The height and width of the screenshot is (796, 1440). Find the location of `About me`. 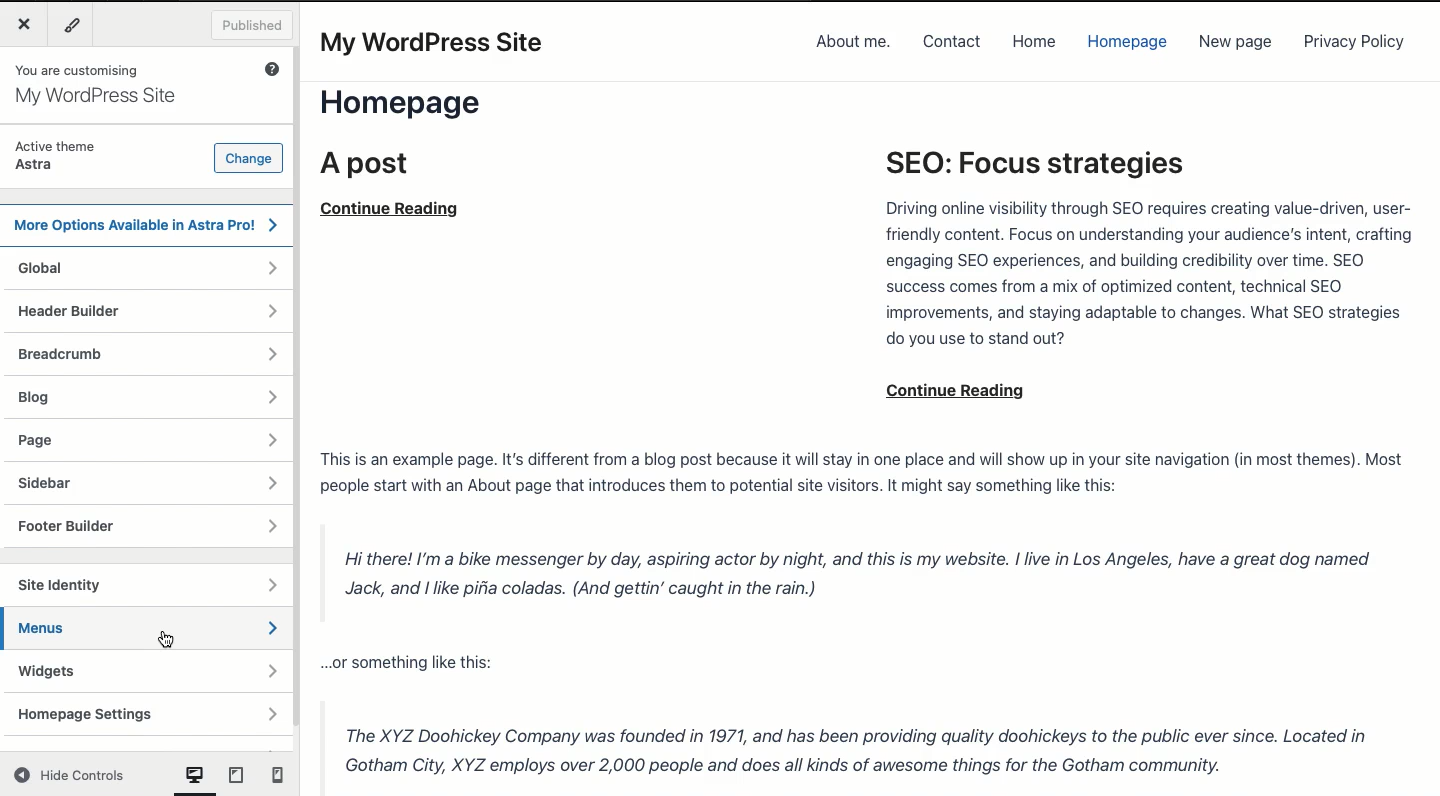

About me is located at coordinates (851, 43).